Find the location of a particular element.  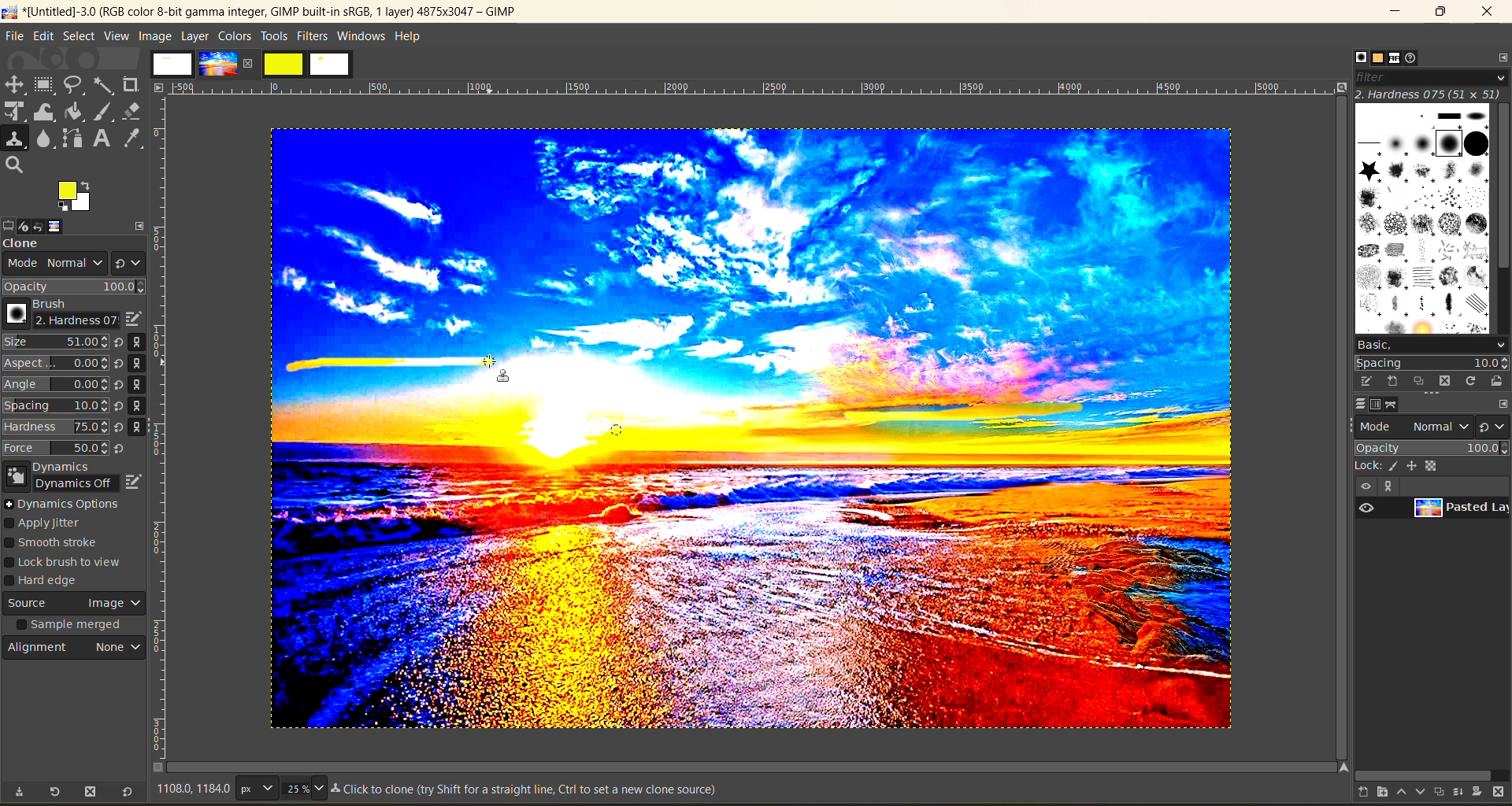

refresh brushes is located at coordinates (1470, 381).